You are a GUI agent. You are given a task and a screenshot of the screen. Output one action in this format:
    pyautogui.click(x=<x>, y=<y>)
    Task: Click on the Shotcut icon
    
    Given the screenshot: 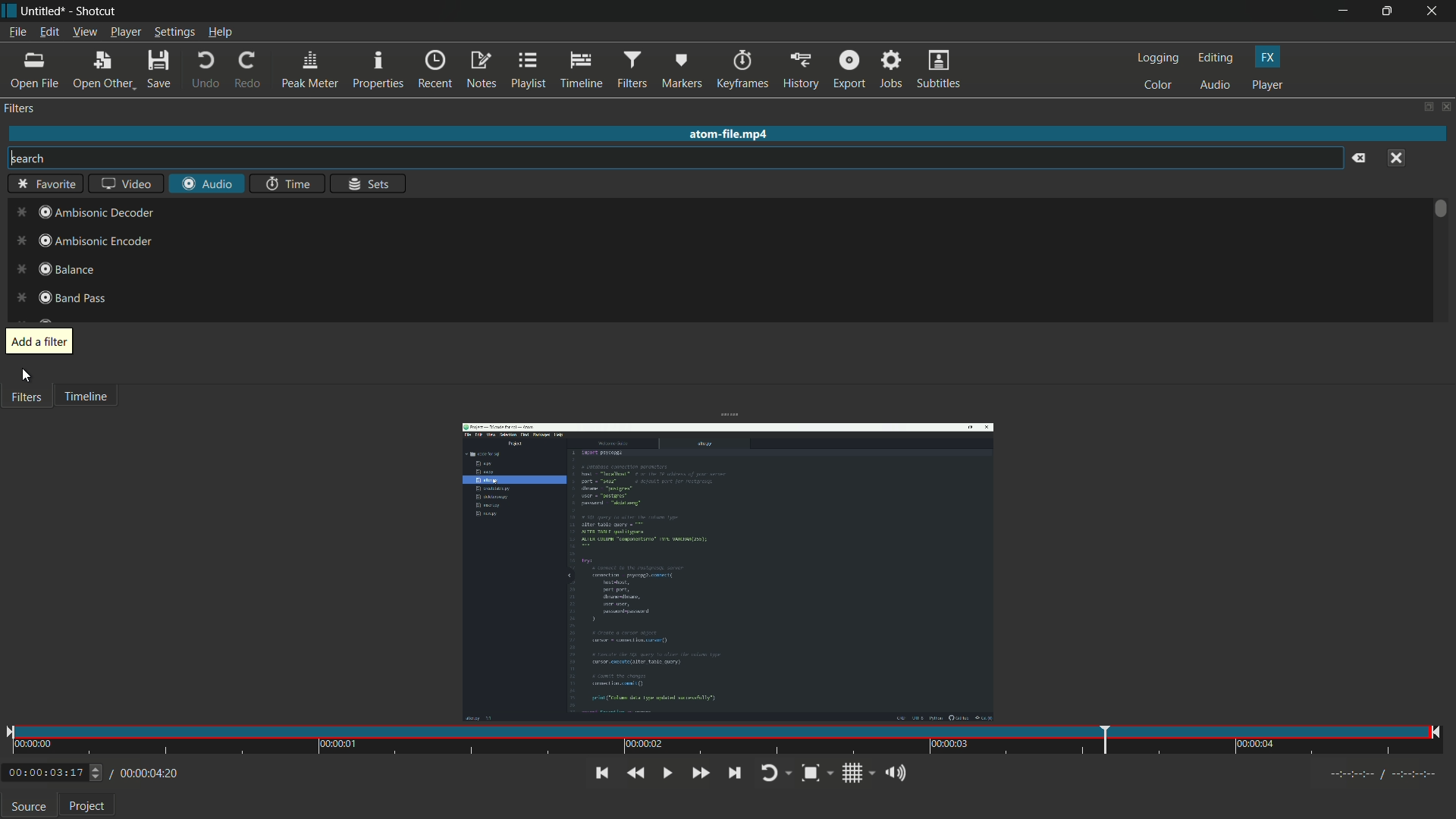 What is the action you would take?
    pyautogui.click(x=8, y=11)
    